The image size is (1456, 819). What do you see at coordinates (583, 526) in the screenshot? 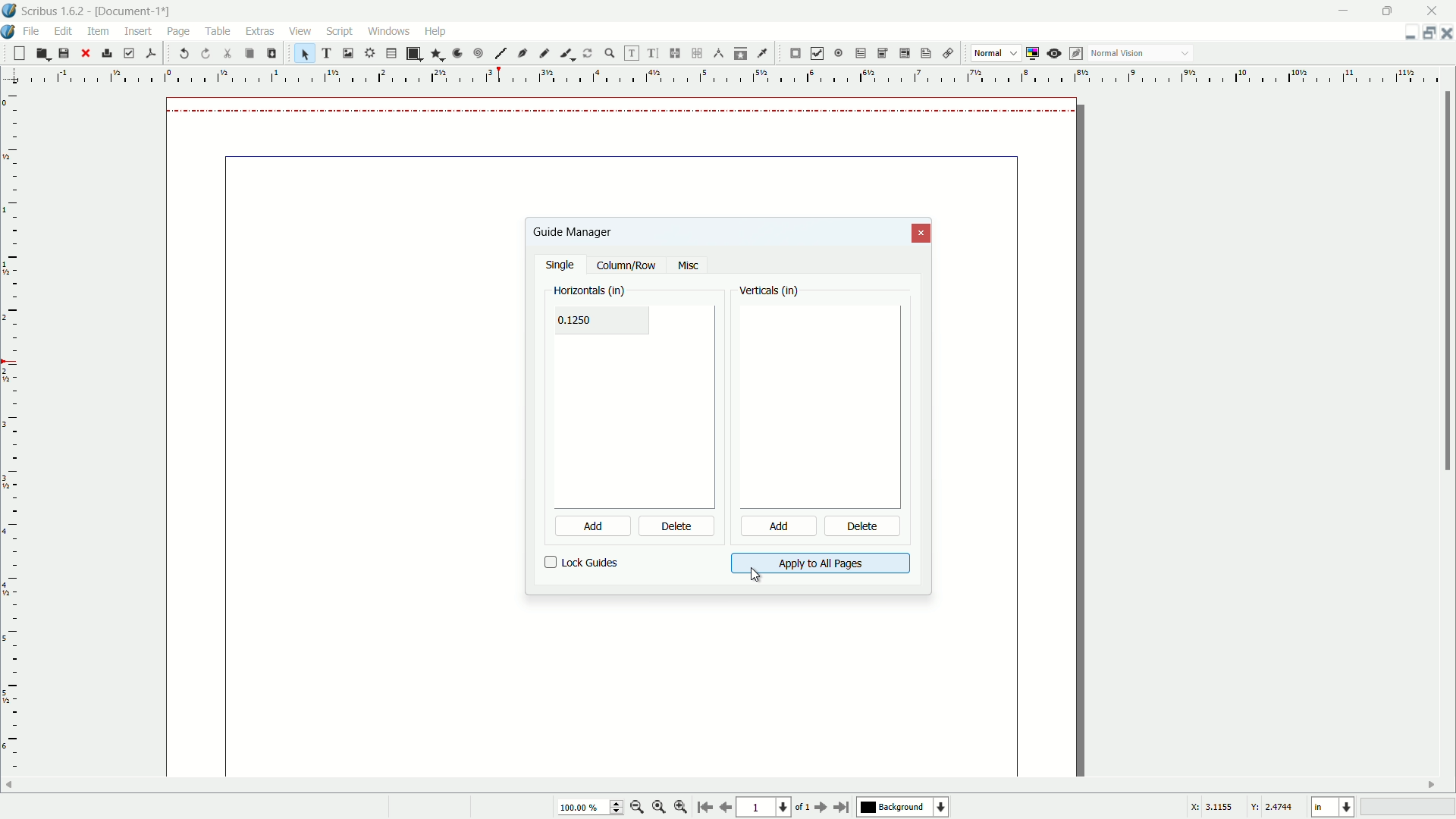
I see `add` at bounding box center [583, 526].